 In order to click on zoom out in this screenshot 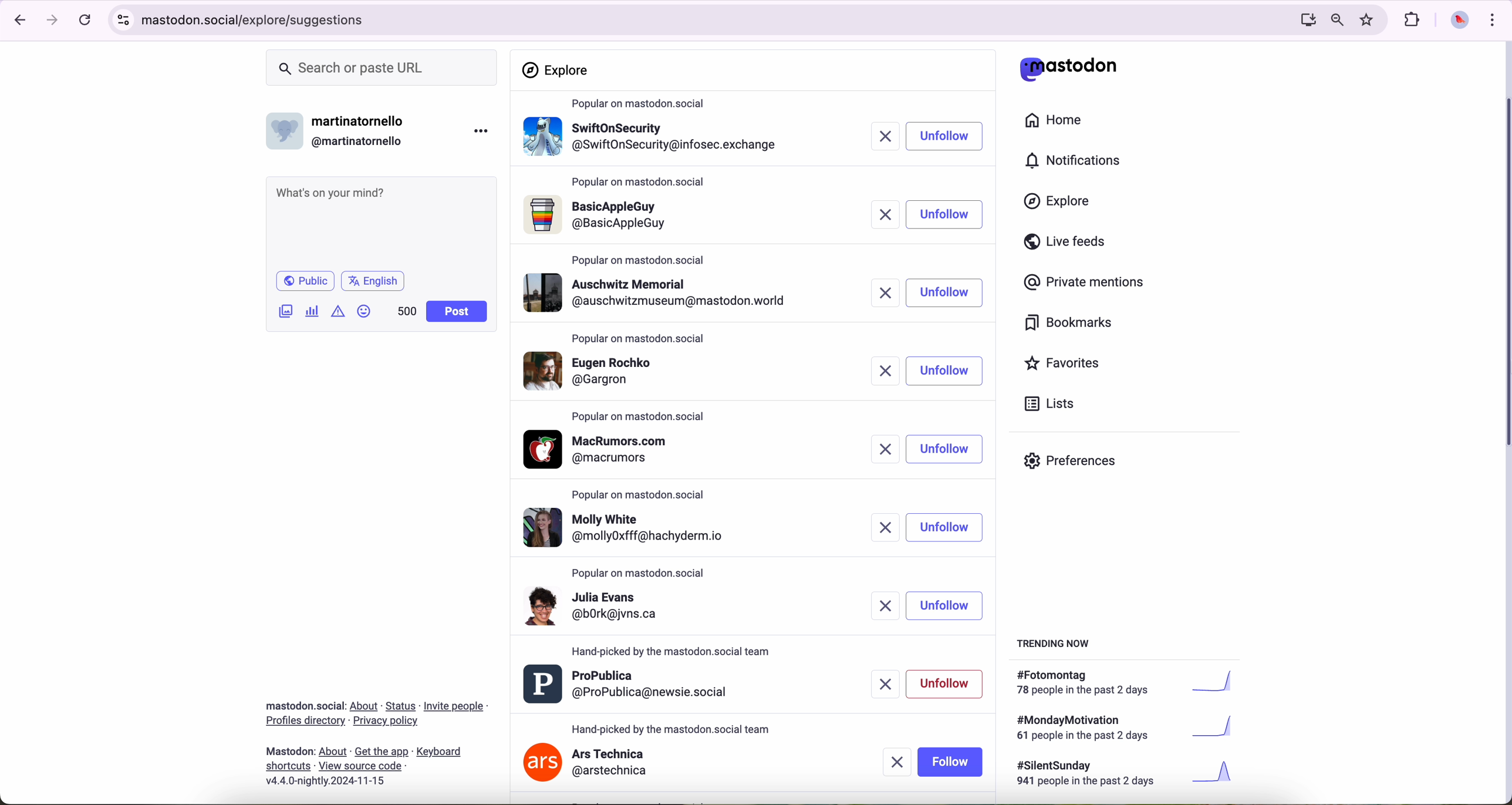, I will do `click(1336, 19)`.